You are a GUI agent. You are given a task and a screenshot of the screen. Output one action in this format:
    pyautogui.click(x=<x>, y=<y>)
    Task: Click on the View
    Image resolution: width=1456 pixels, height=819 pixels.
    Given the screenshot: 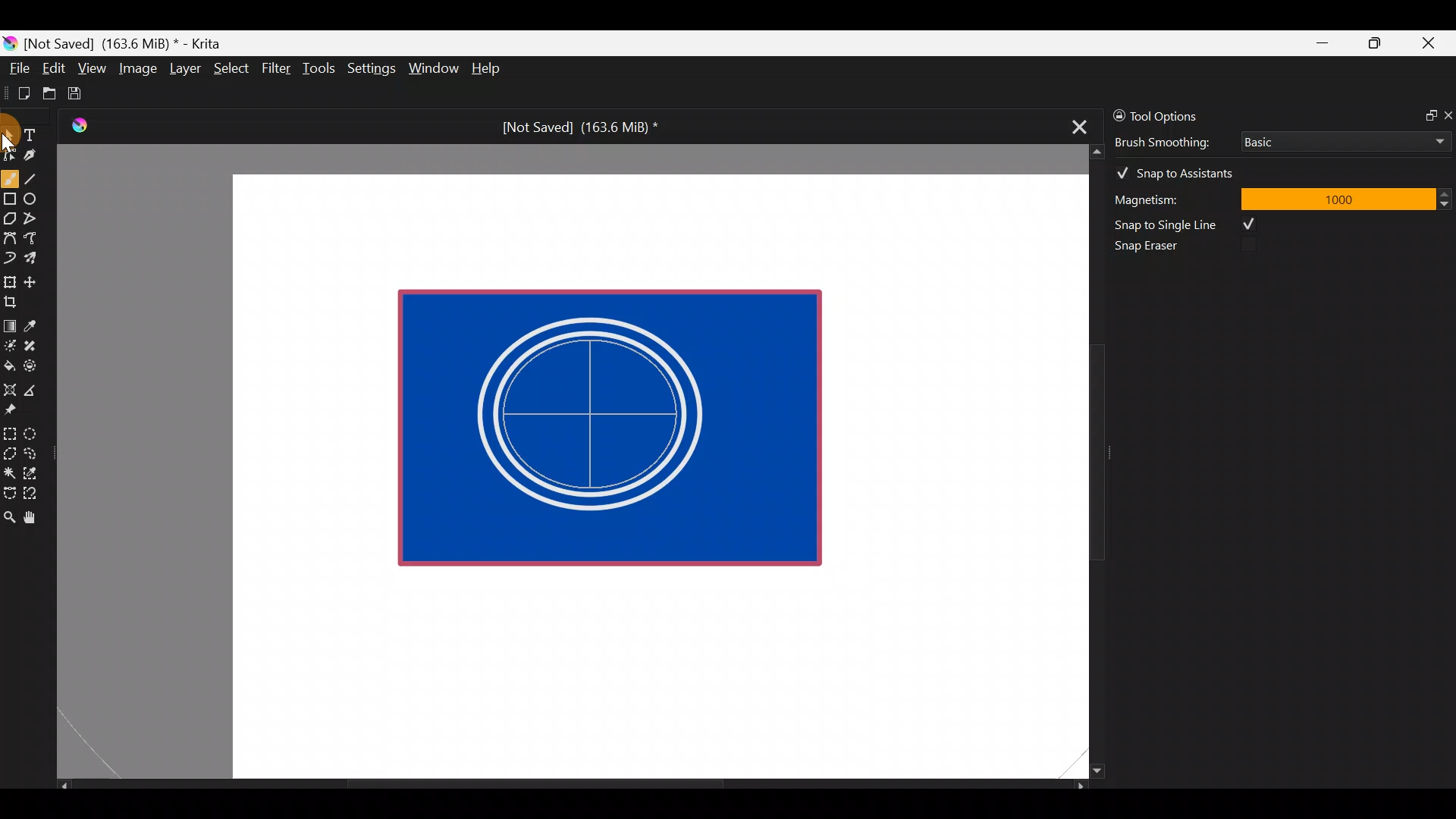 What is the action you would take?
    pyautogui.click(x=93, y=68)
    